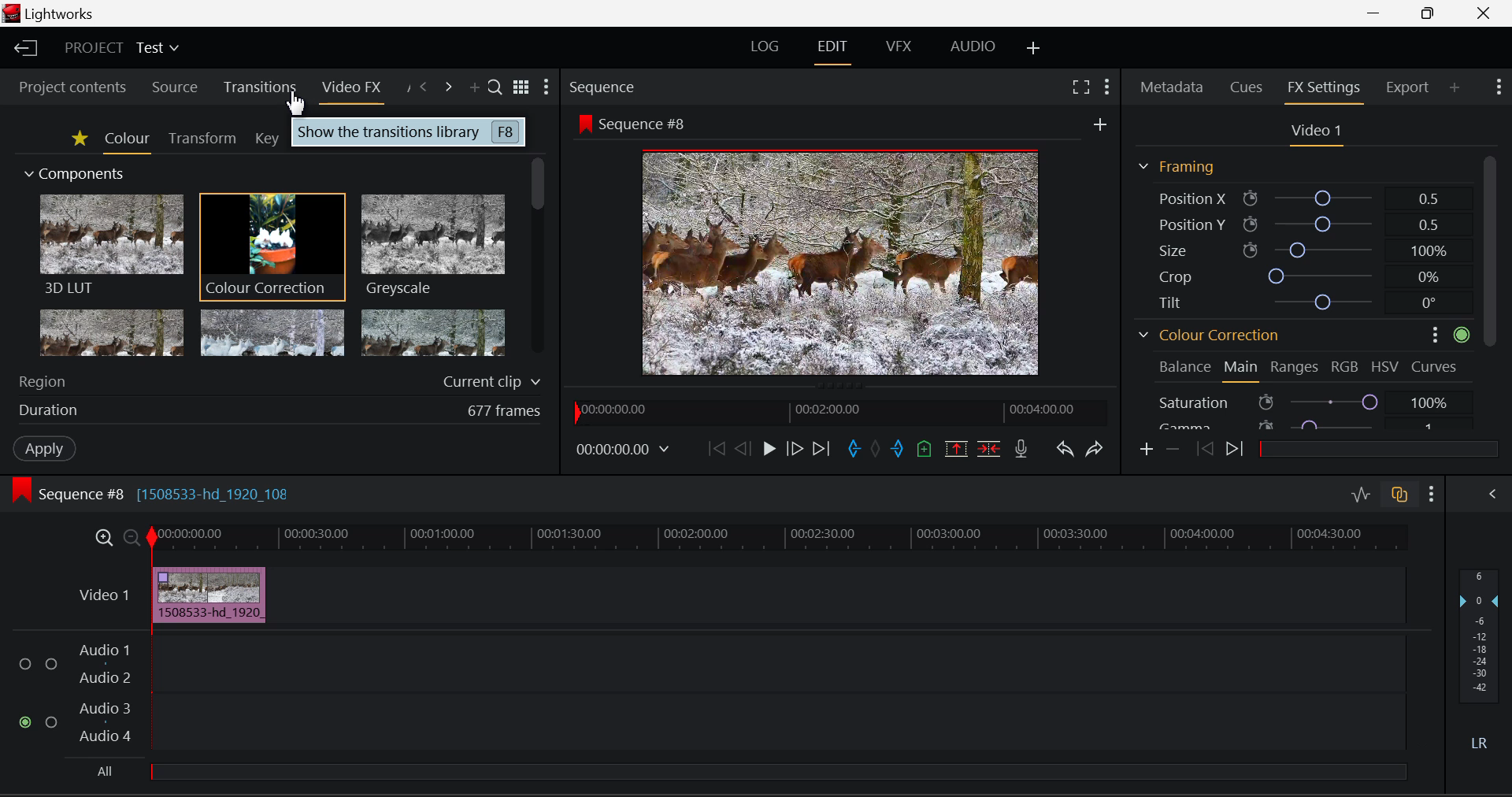 This screenshot has height=797, width=1512. What do you see at coordinates (1345, 366) in the screenshot?
I see `RGB` at bounding box center [1345, 366].